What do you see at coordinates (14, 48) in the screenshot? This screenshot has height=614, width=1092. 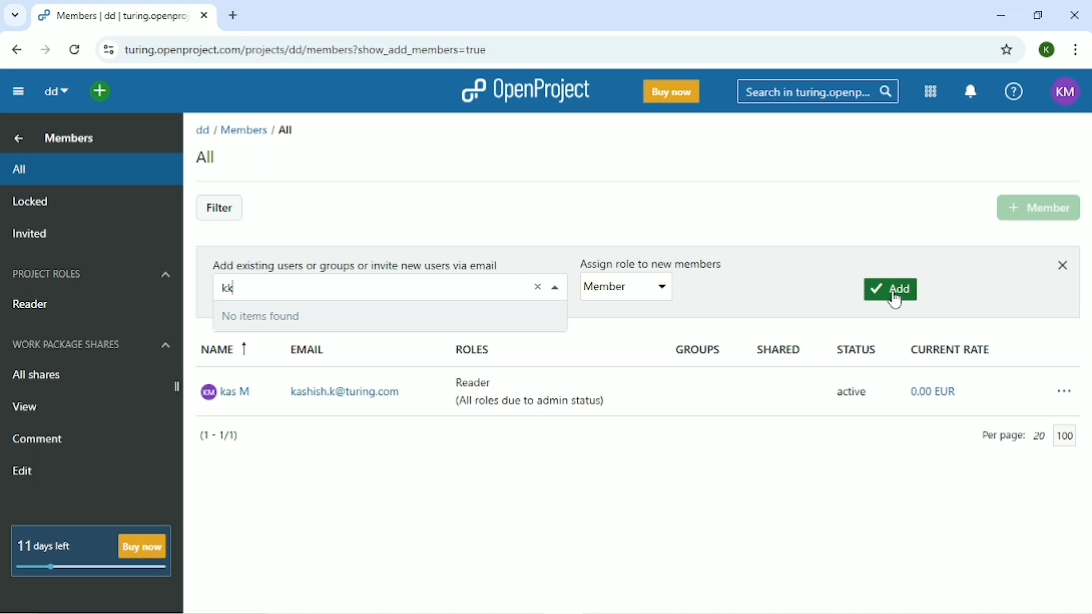 I see `Back` at bounding box center [14, 48].